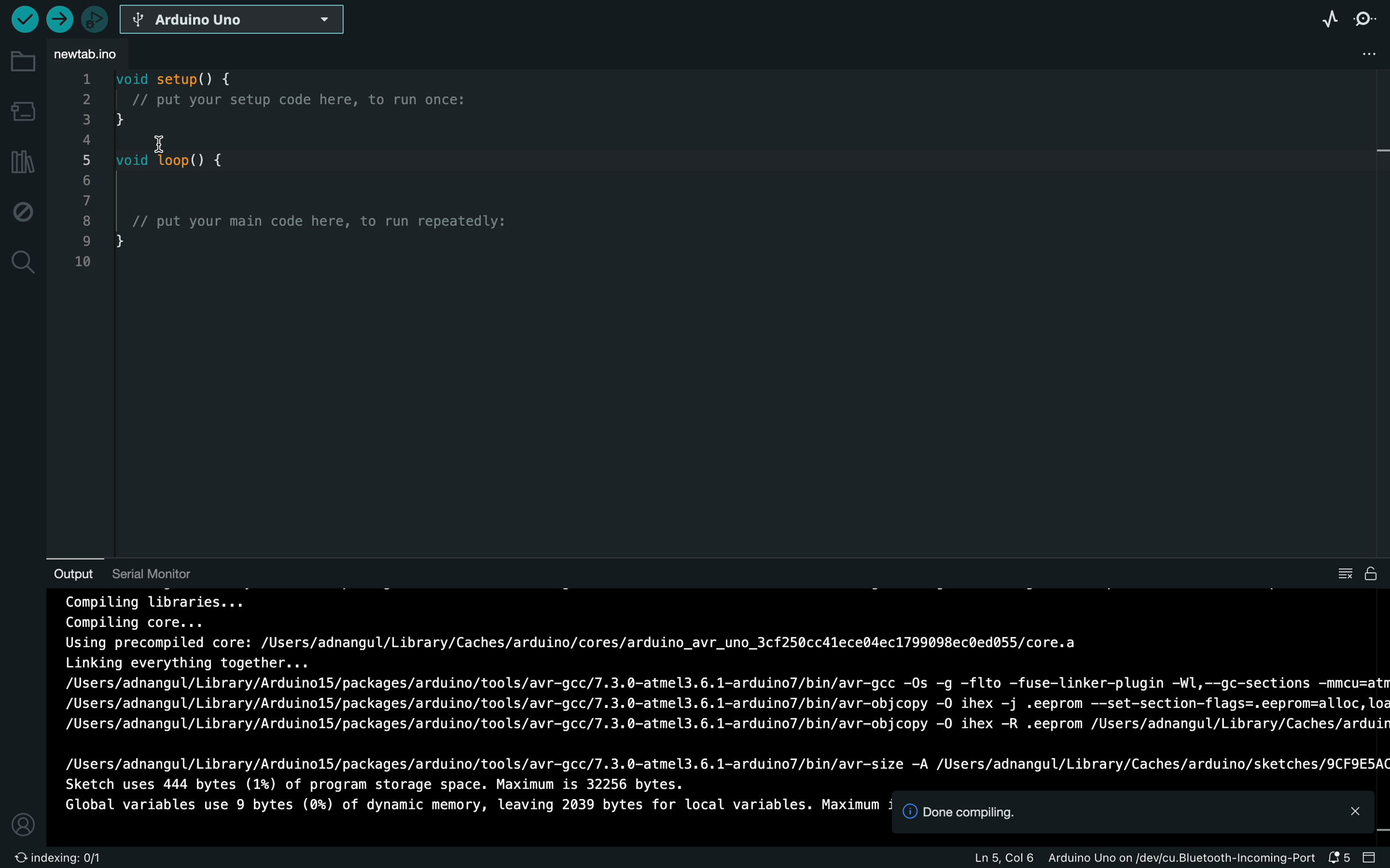 The height and width of the screenshot is (868, 1390). What do you see at coordinates (21, 160) in the screenshot?
I see `library manager` at bounding box center [21, 160].